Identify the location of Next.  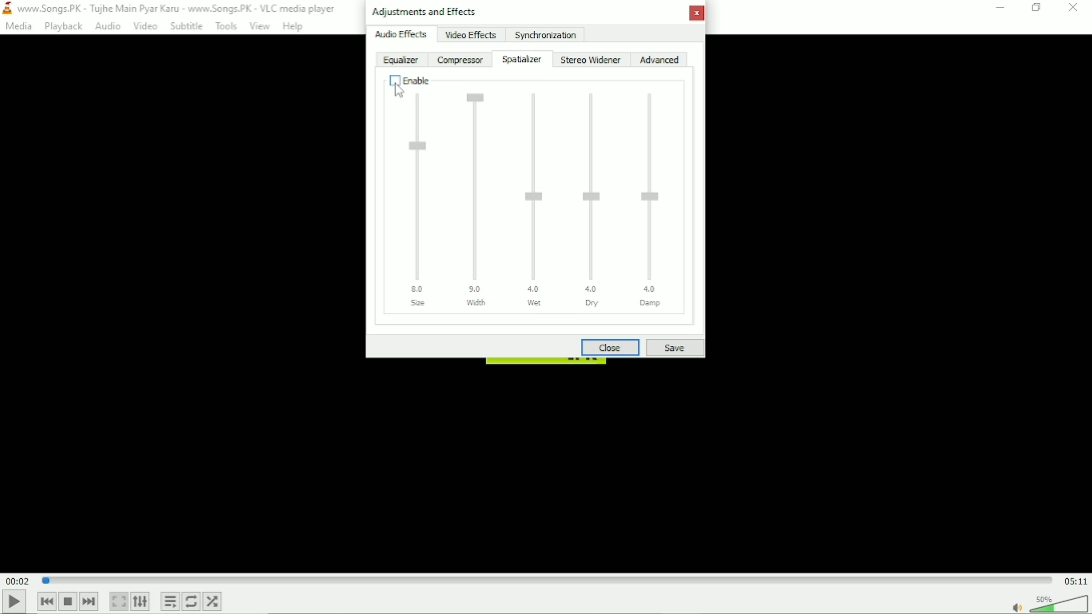
(89, 601).